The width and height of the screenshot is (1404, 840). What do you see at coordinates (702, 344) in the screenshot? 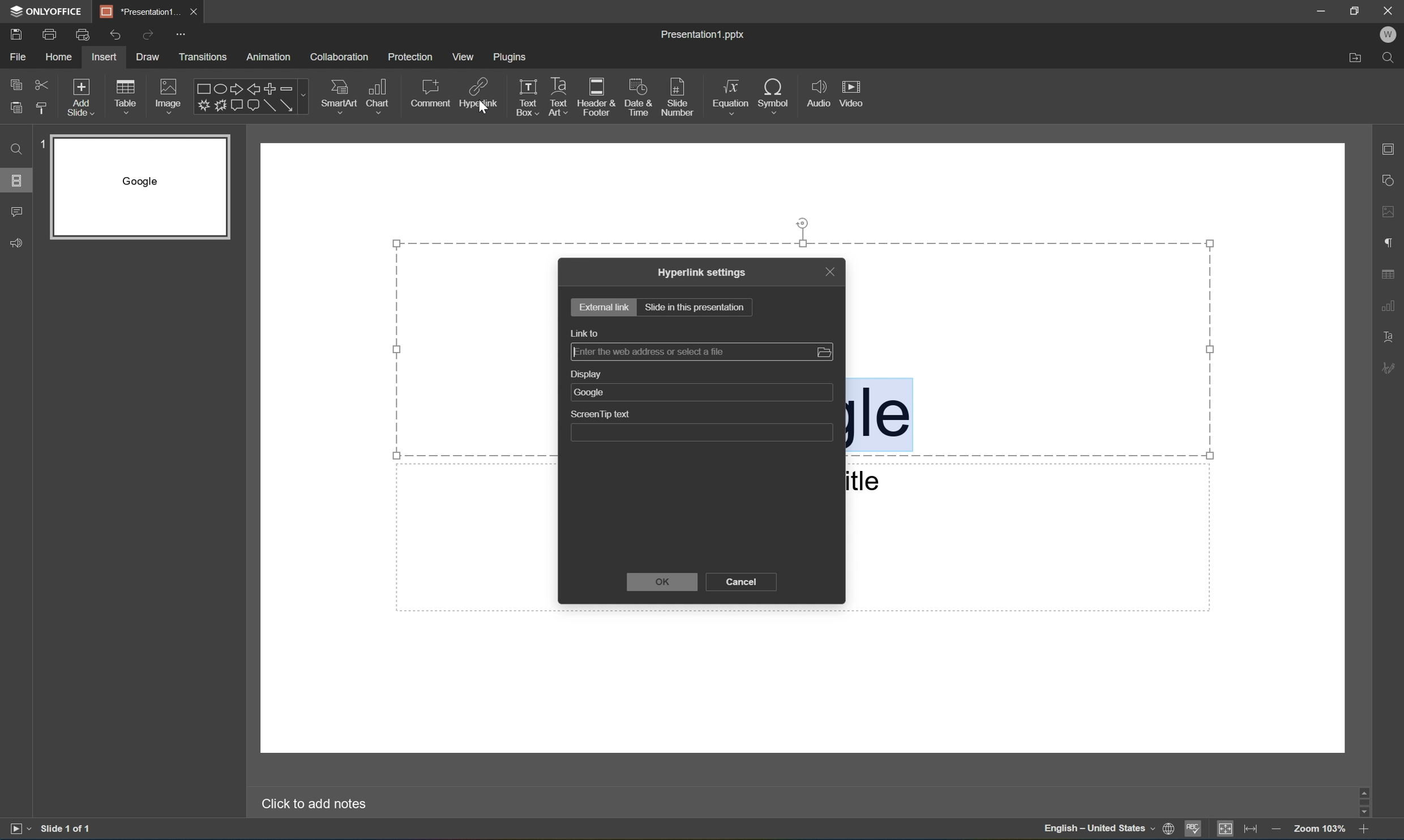
I see `Link to: Enter the web address to select the file` at bounding box center [702, 344].